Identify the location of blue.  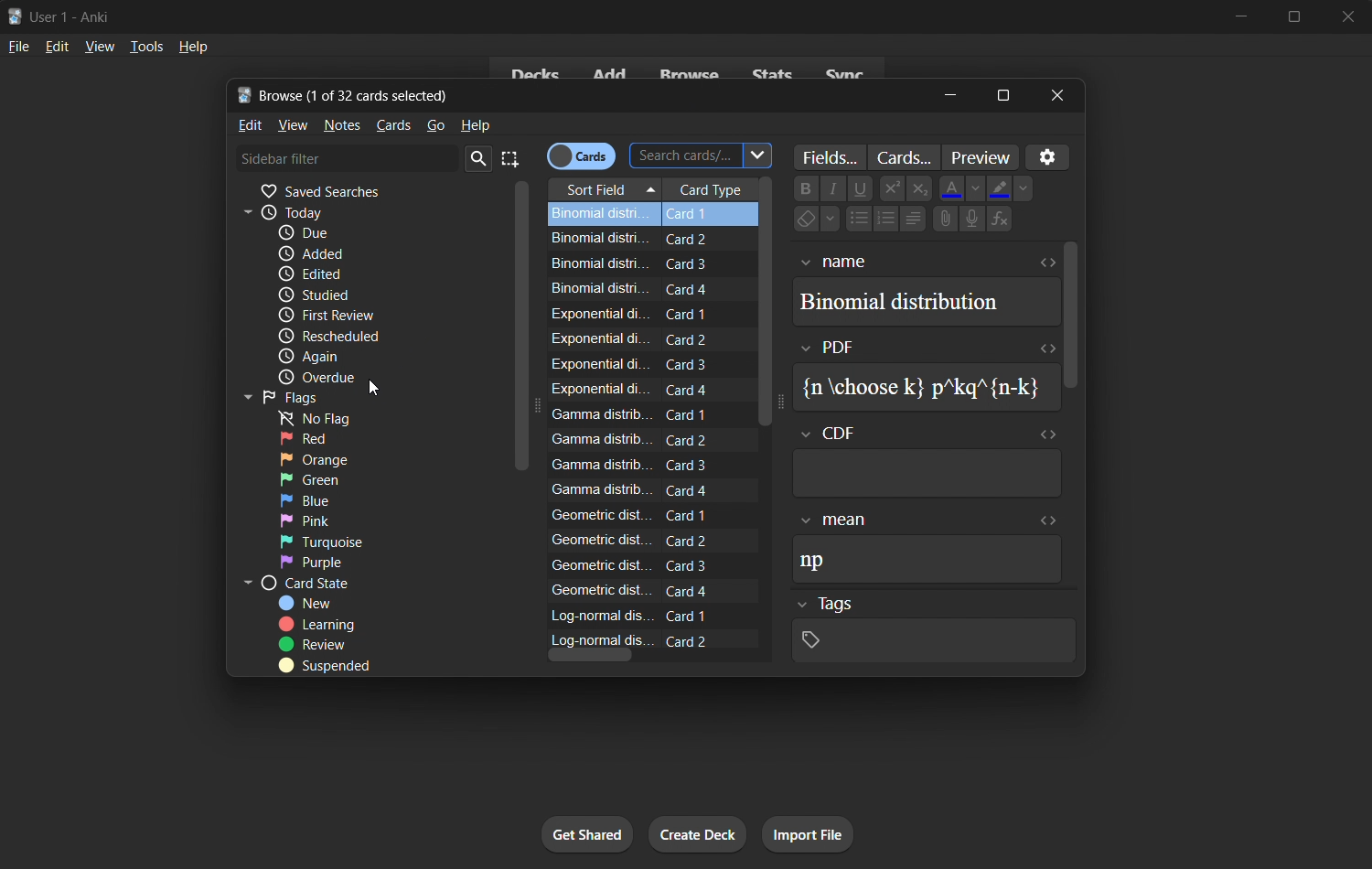
(335, 500).